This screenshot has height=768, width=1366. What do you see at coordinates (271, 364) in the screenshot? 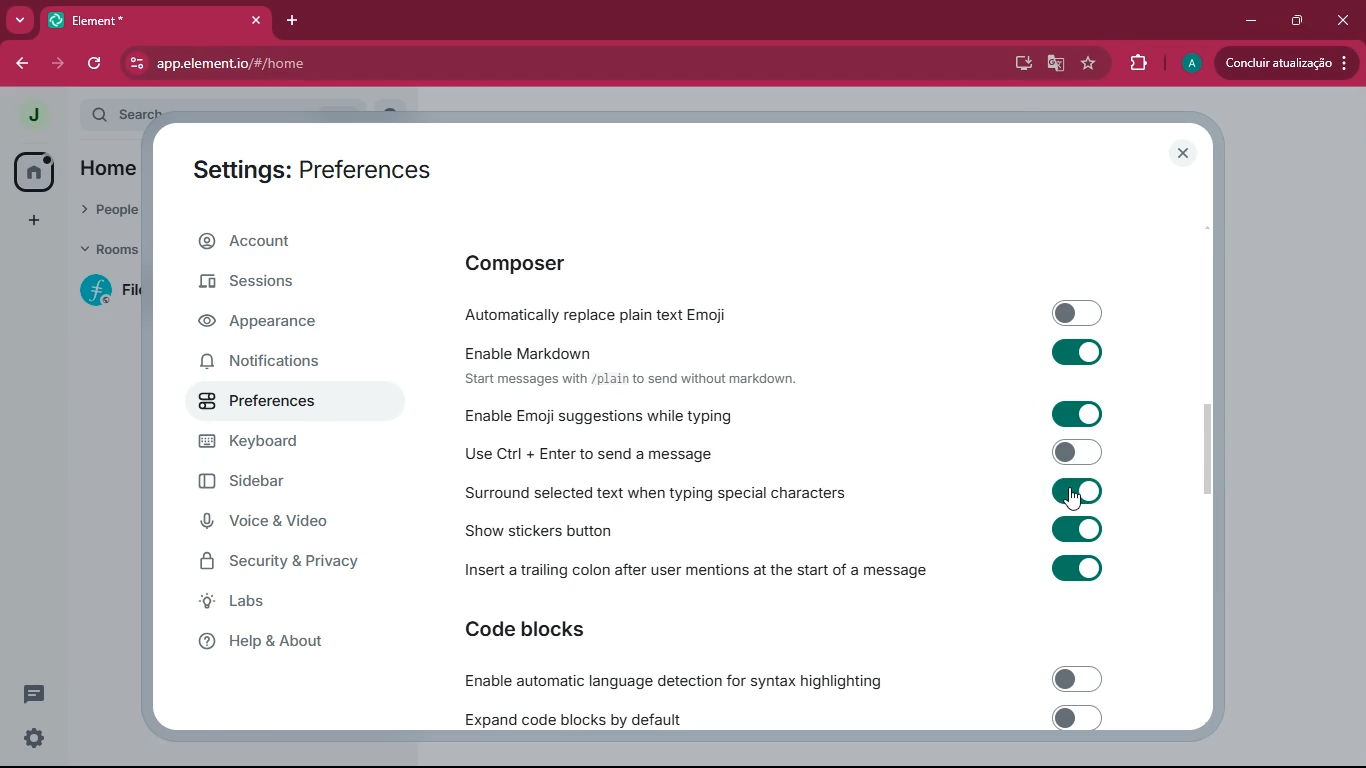
I see `notifications` at bounding box center [271, 364].